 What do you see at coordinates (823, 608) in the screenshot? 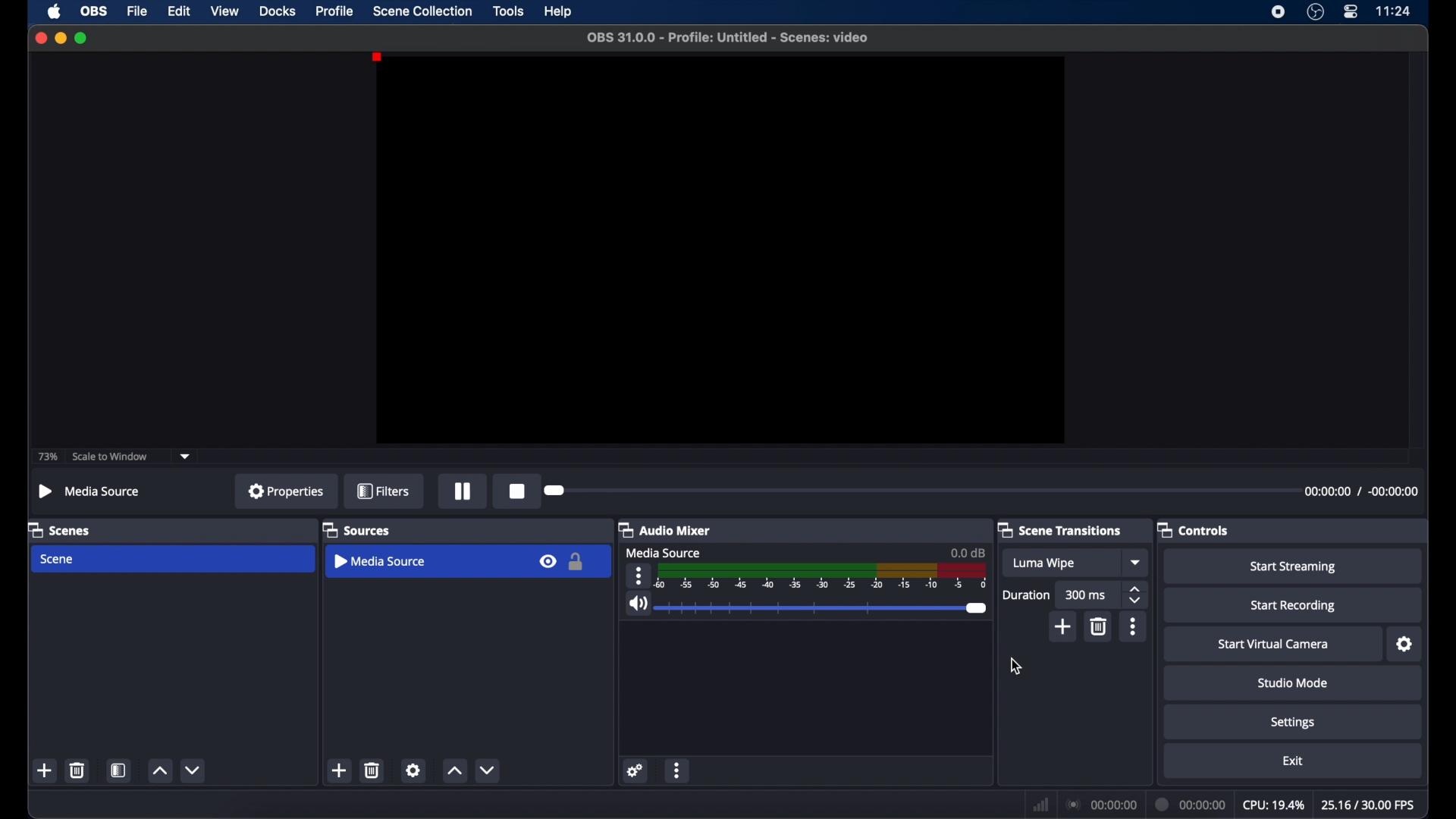
I see `slider` at bounding box center [823, 608].